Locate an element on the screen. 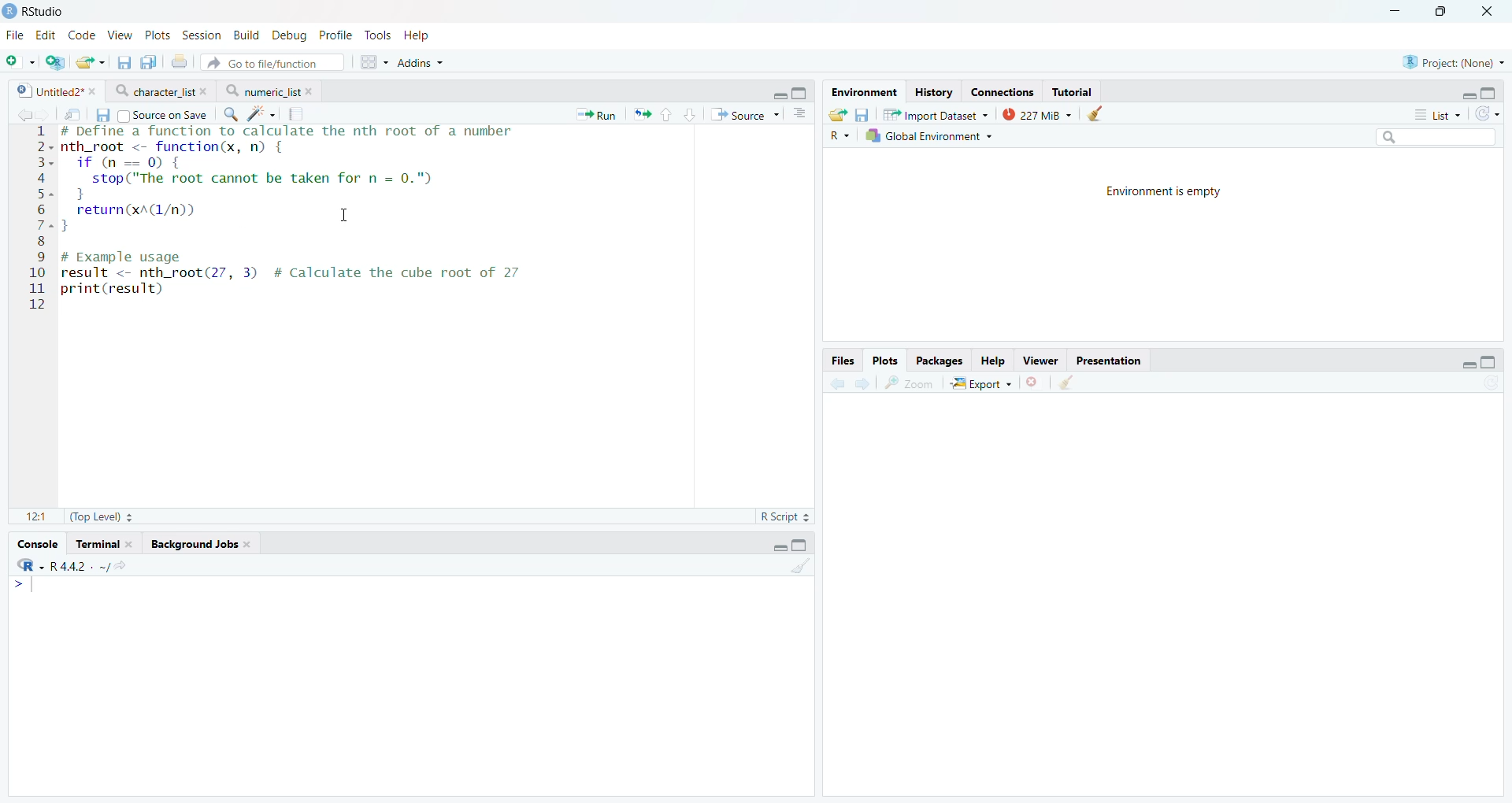  Help is located at coordinates (420, 35).